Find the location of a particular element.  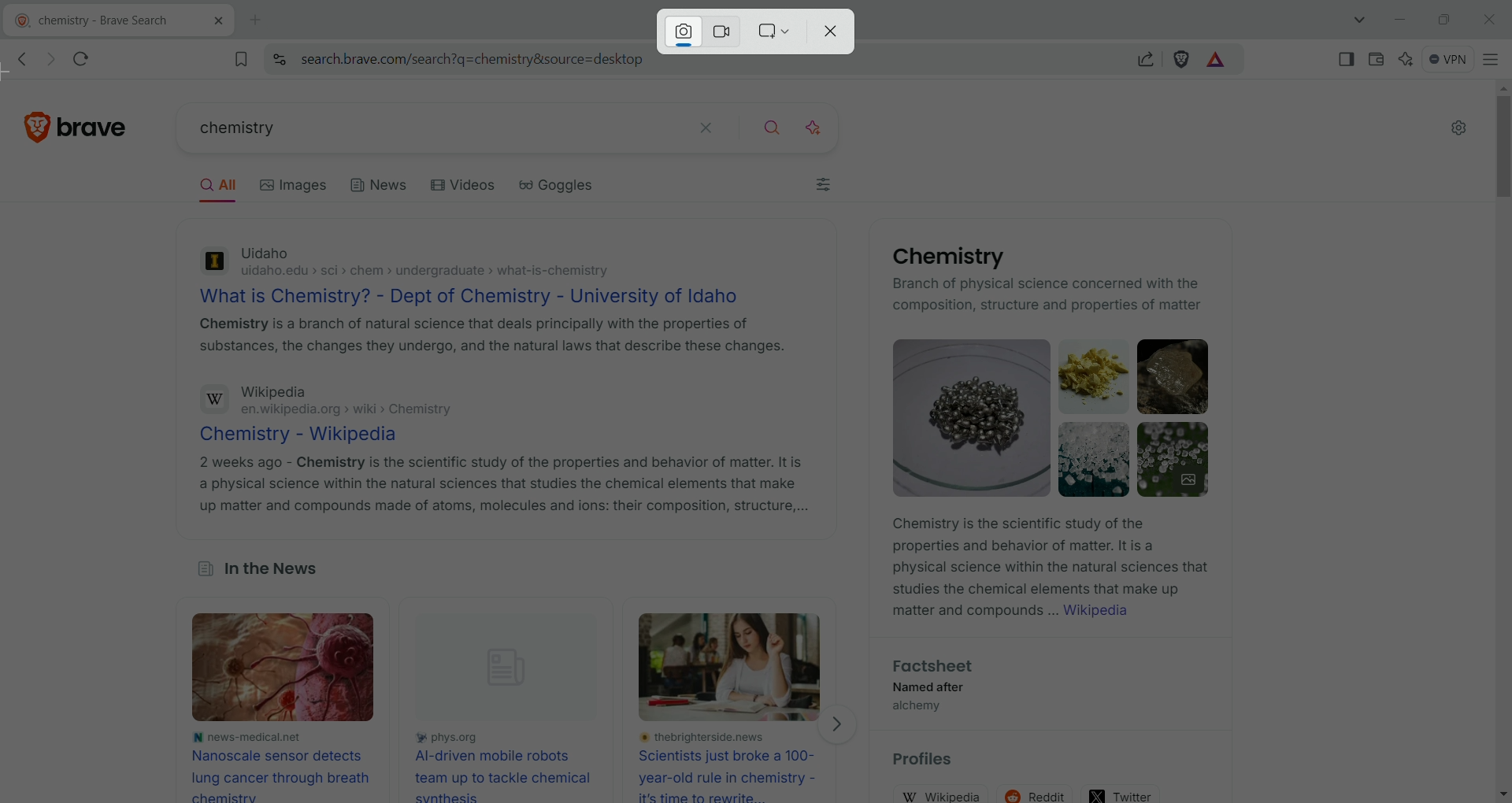

cursor is located at coordinates (17, 75).